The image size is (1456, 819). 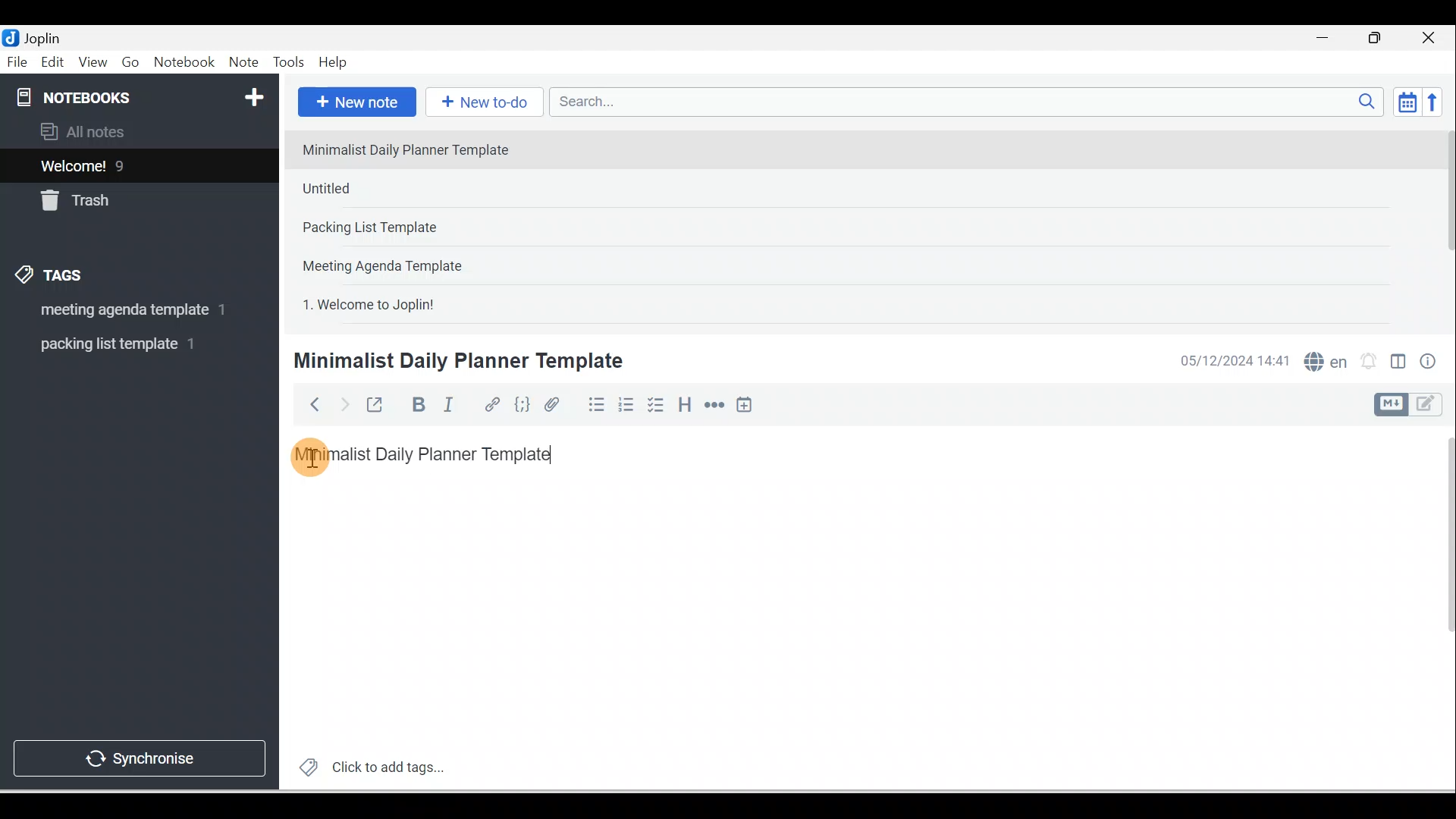 What do you see at coordinates (343, 403) in the screenshot?
I see `Forward` at bounding box center [343, 403].